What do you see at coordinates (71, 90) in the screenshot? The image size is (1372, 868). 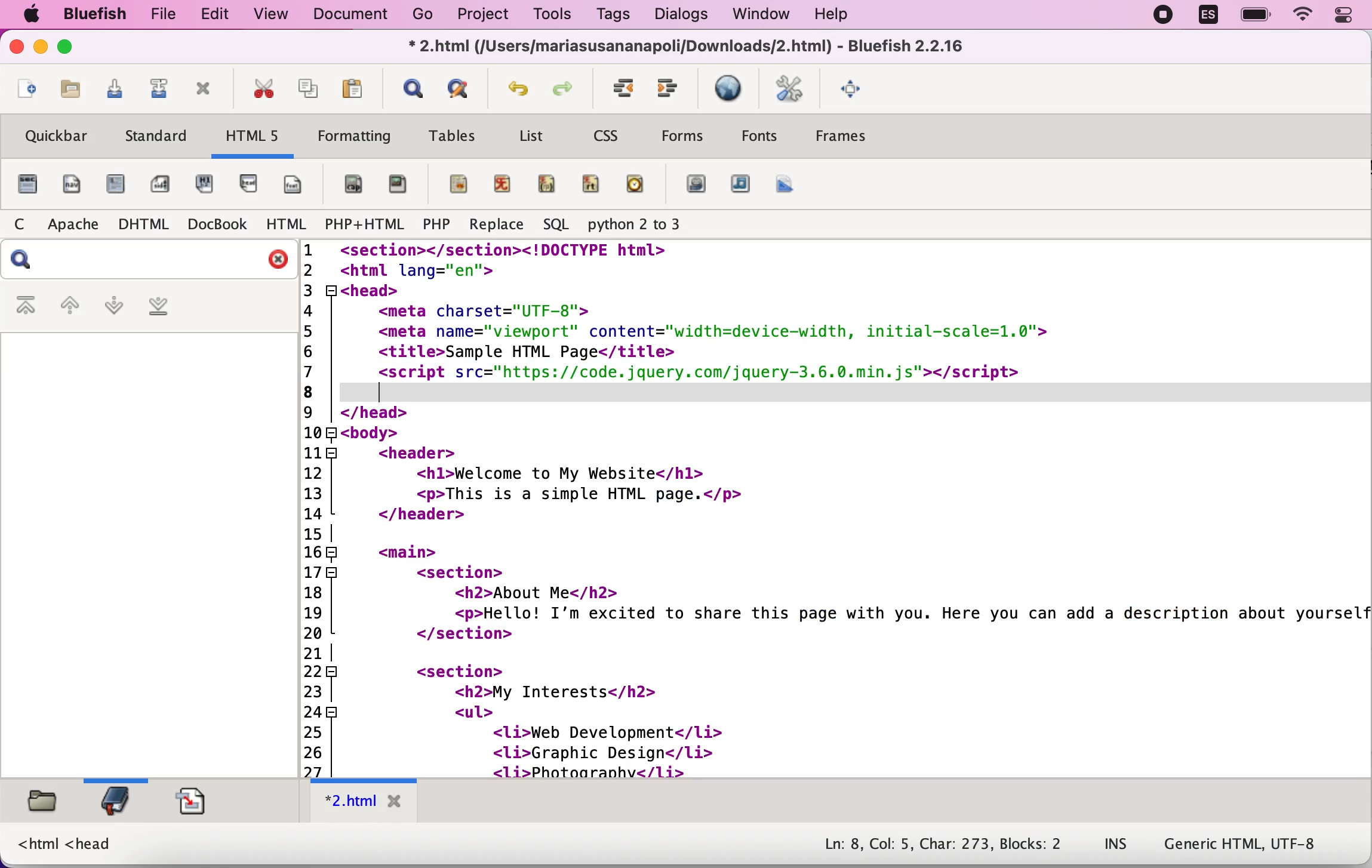 I see `open file` at bounding box center [71, 90].